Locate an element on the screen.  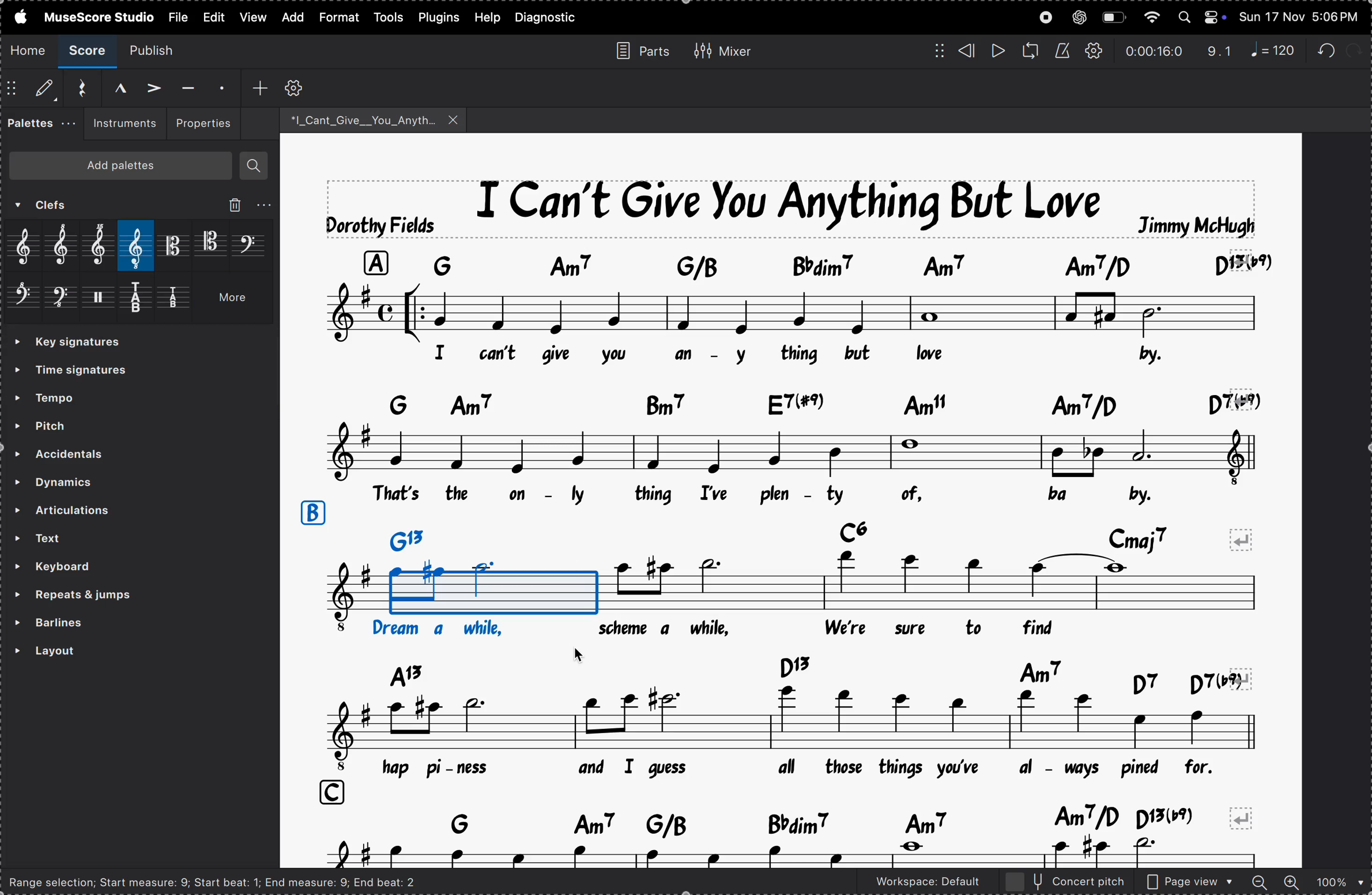
play is located at coordinates (997, 51).